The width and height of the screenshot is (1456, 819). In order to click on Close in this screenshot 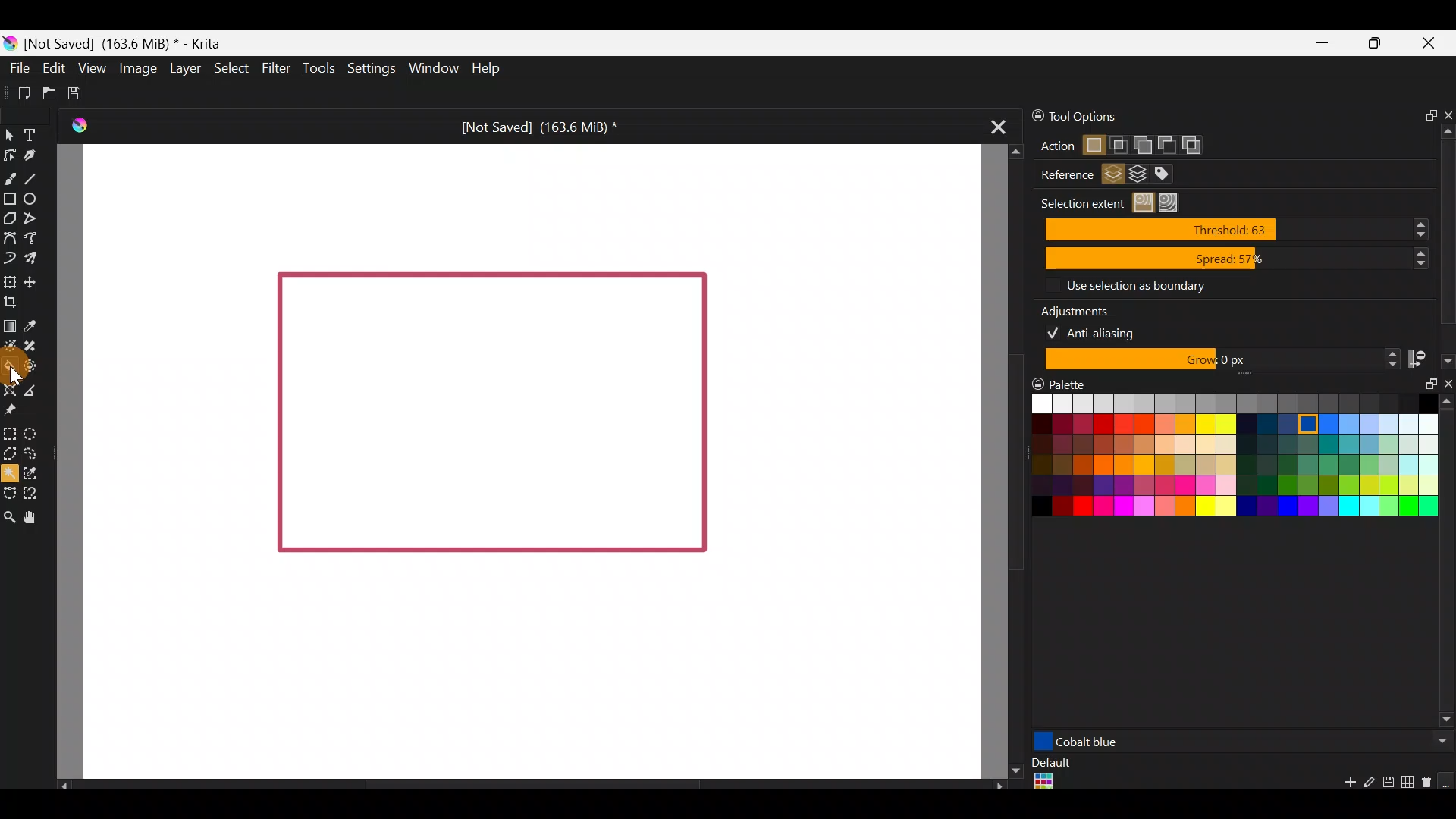, I will do `click(1433, 45)`.